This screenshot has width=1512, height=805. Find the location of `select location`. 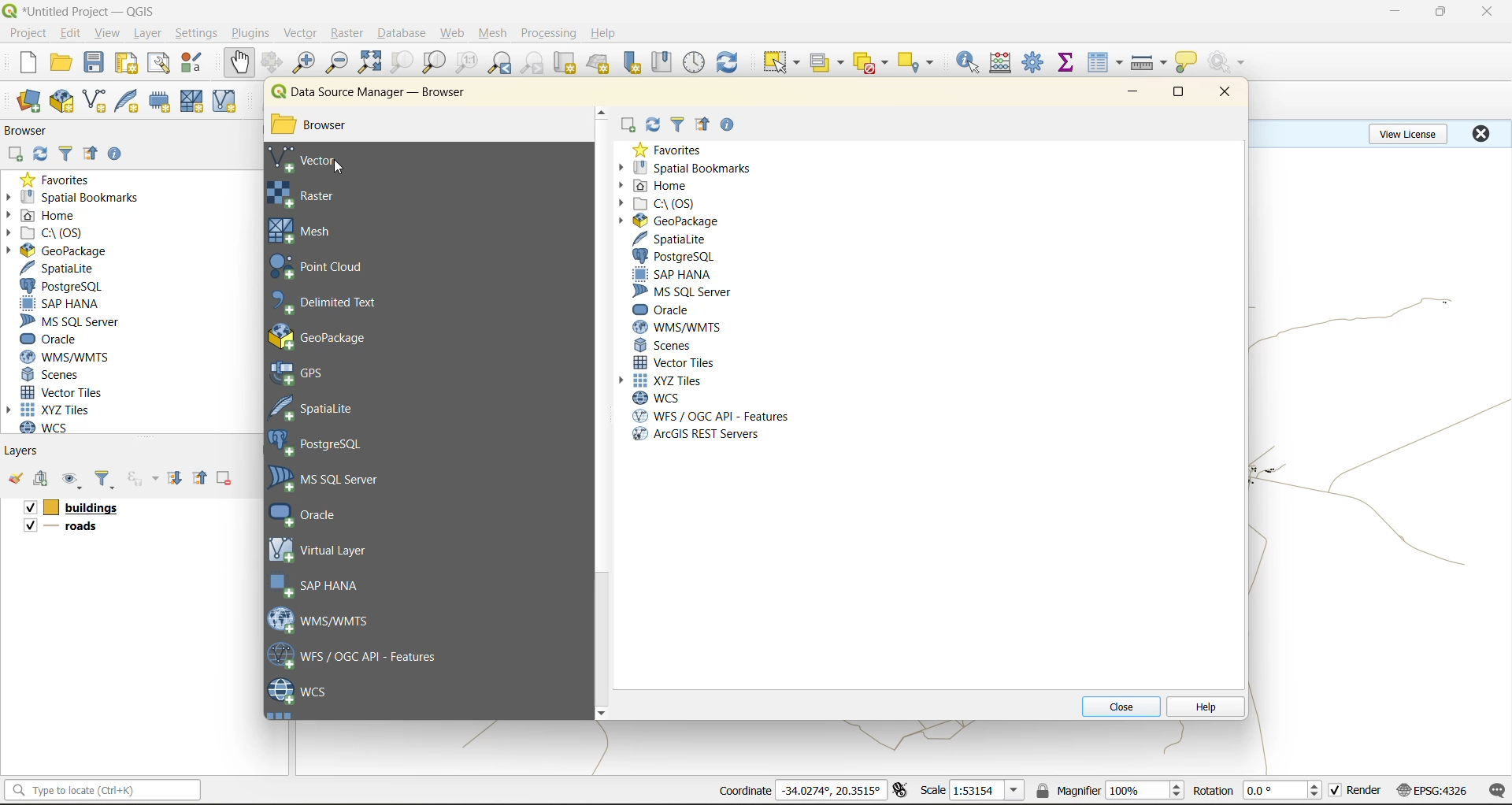

select location is located at coordinates (921, 61).